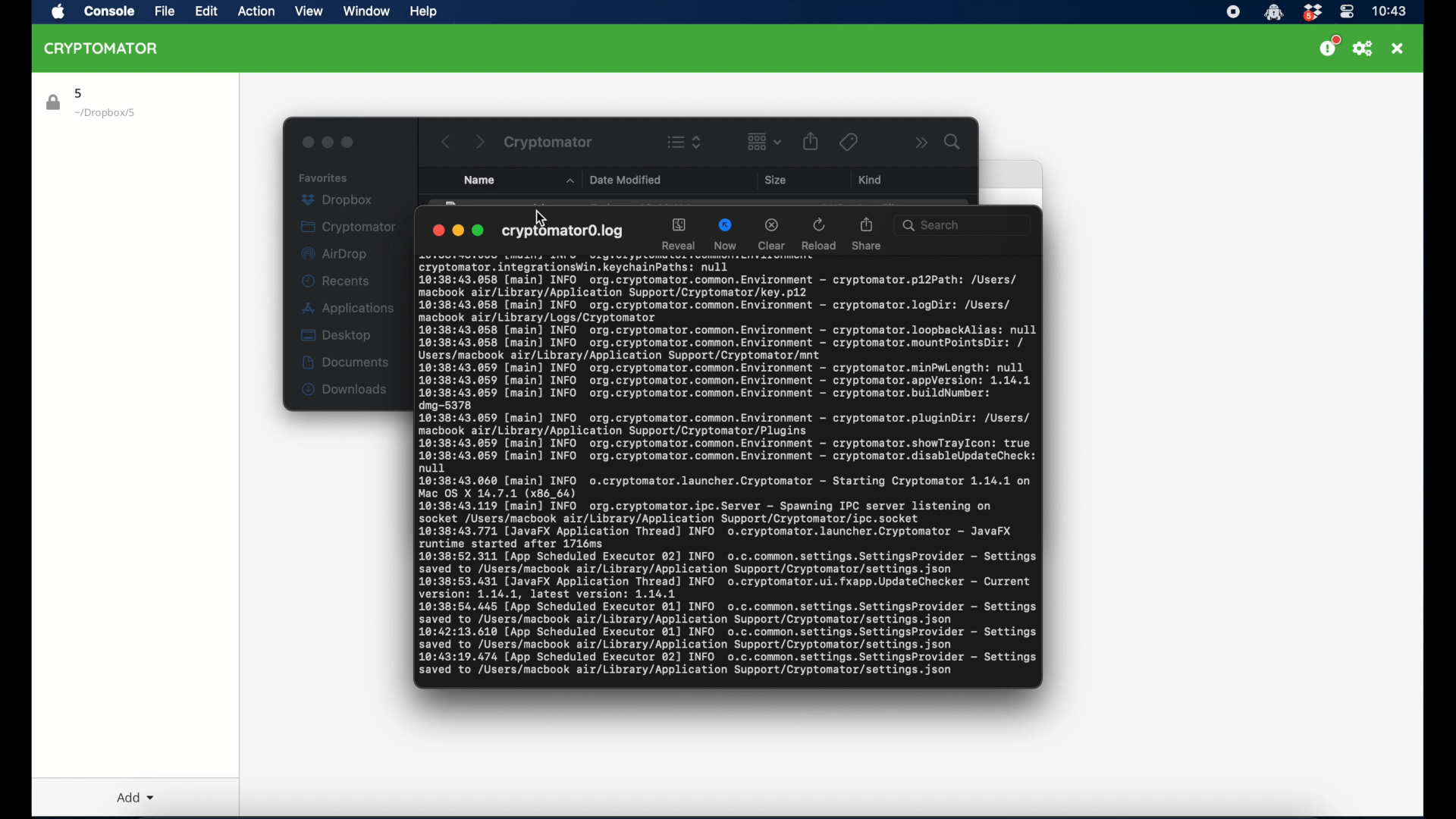 The height and width of the screenshot is (819, 1456). What do you see at coordinates (337, 281) in the screenshot?
I see `recents` at bounding box center [337, 281].